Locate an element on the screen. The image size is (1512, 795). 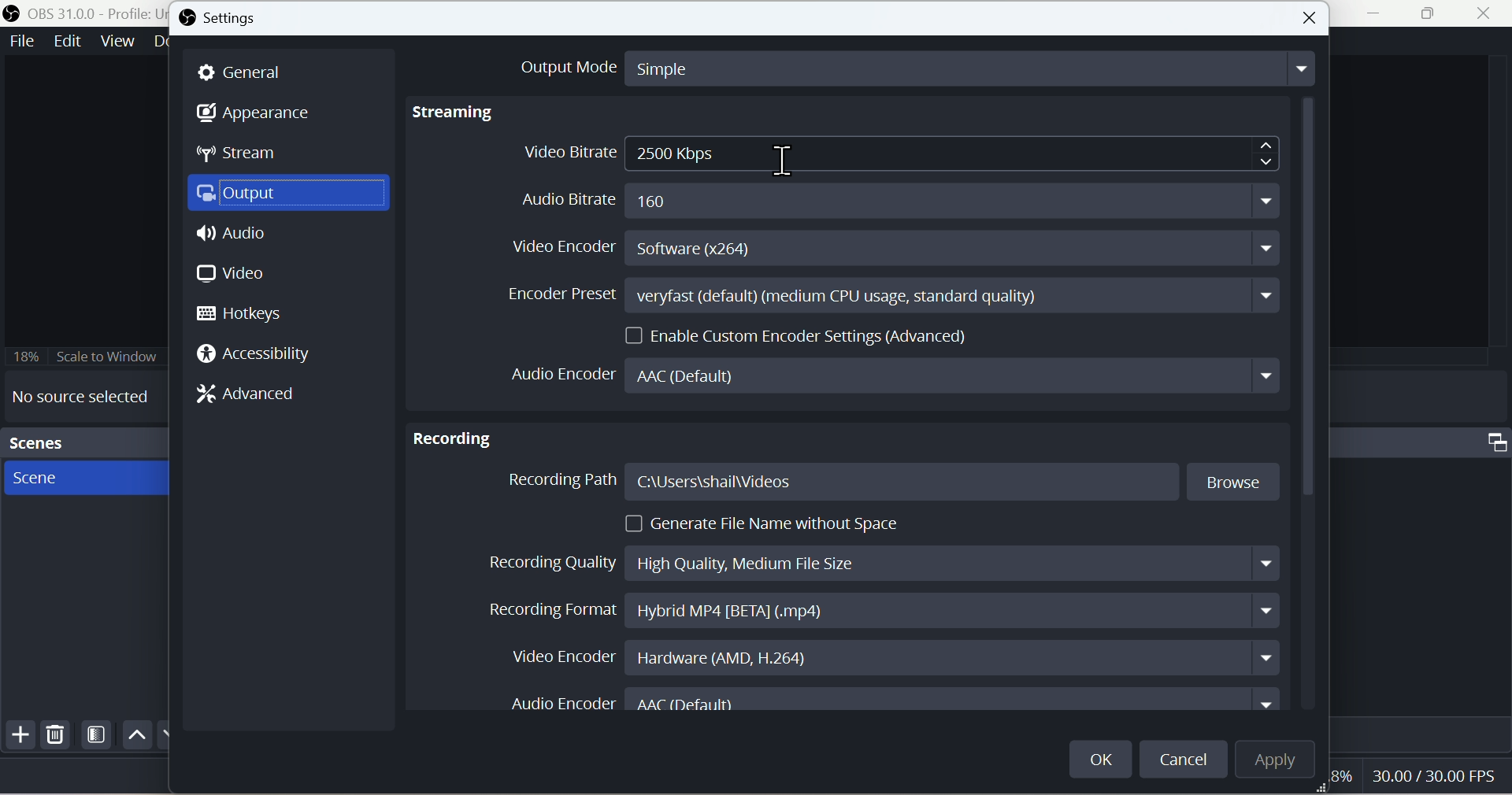
Hotkeys is located at coordinates (248, 313).